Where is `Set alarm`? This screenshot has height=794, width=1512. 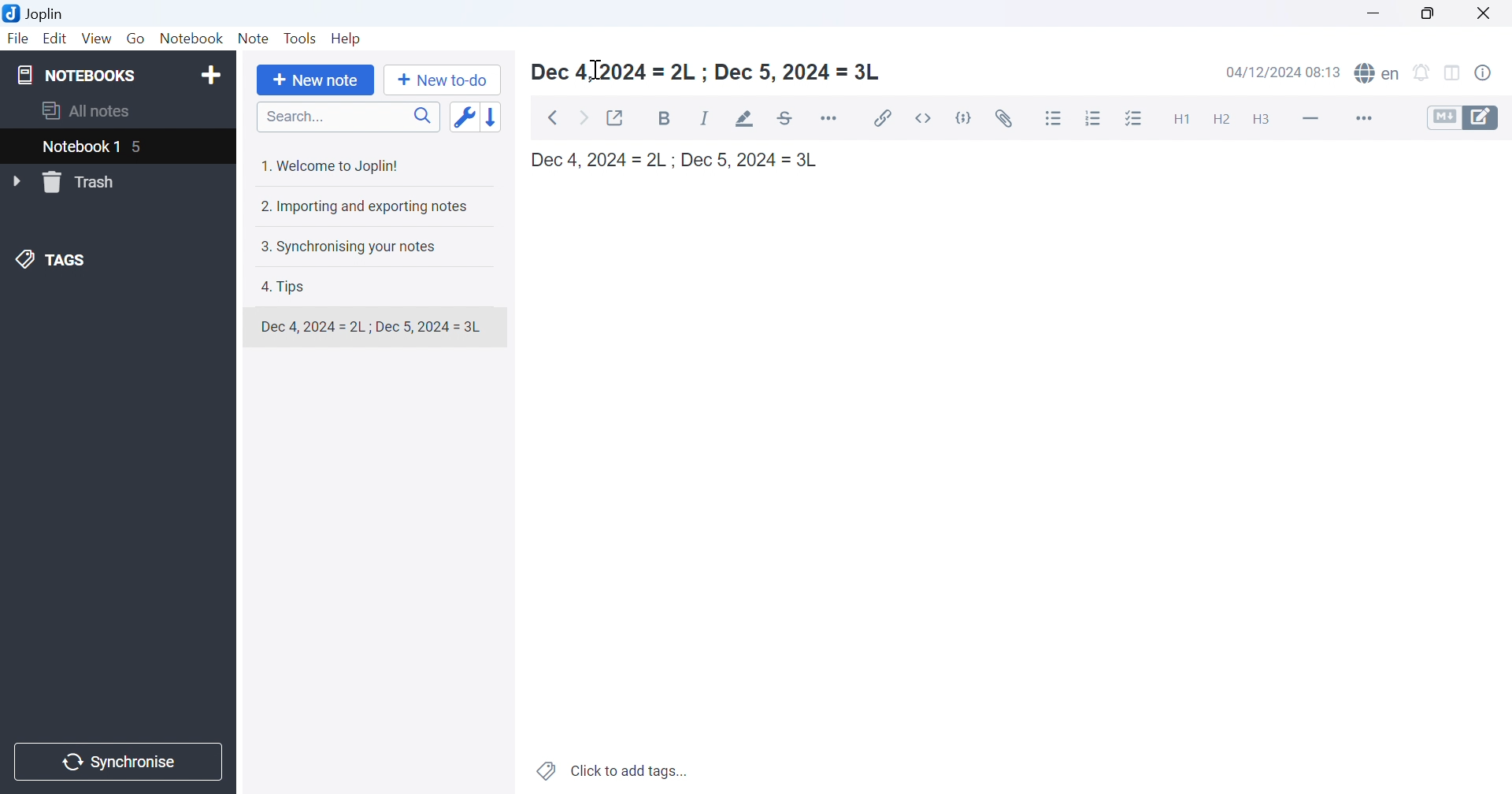
Set alarm is located at coordinates (1425, 72).